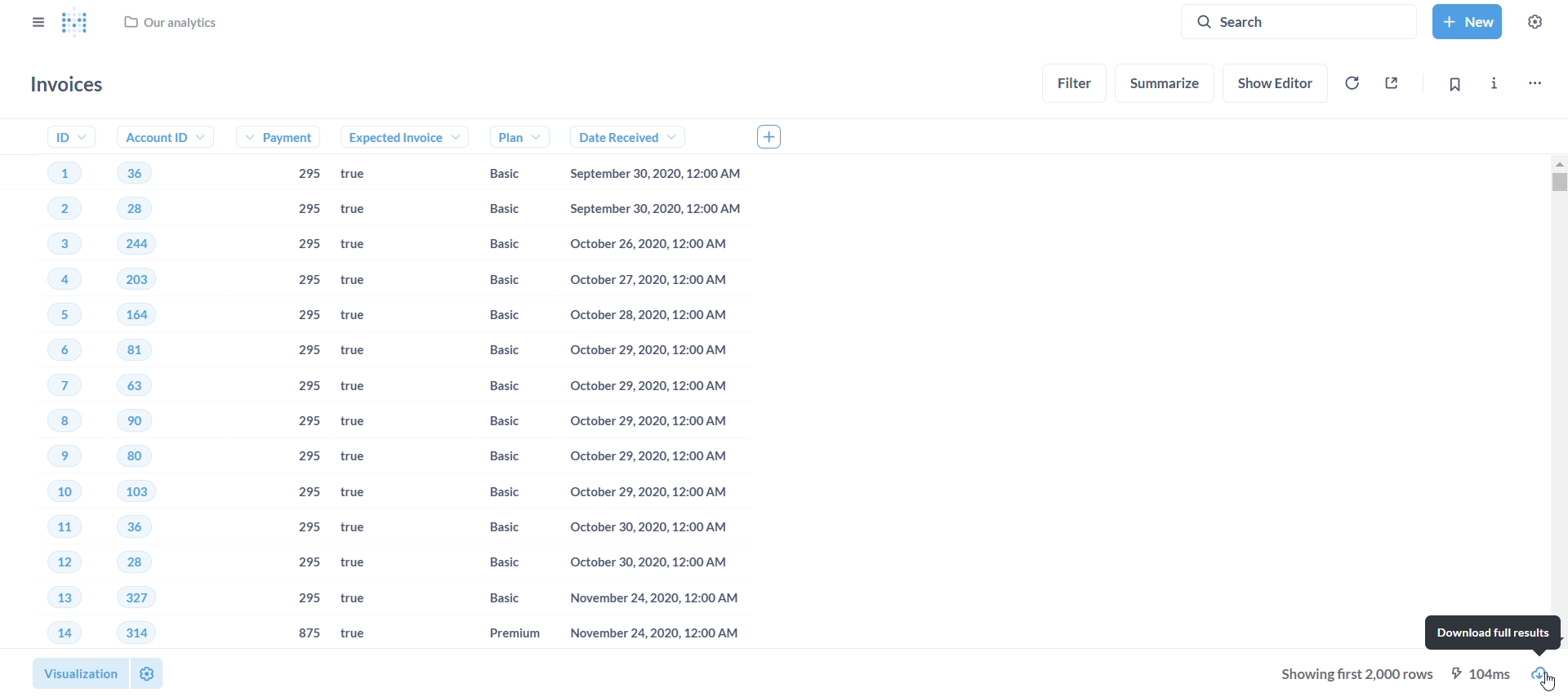 This screenshot has height=697, width=1568. What do you see at coordinates (1305, 20) in the screenshot?
I see `search` at bounding box center [1305, 20].